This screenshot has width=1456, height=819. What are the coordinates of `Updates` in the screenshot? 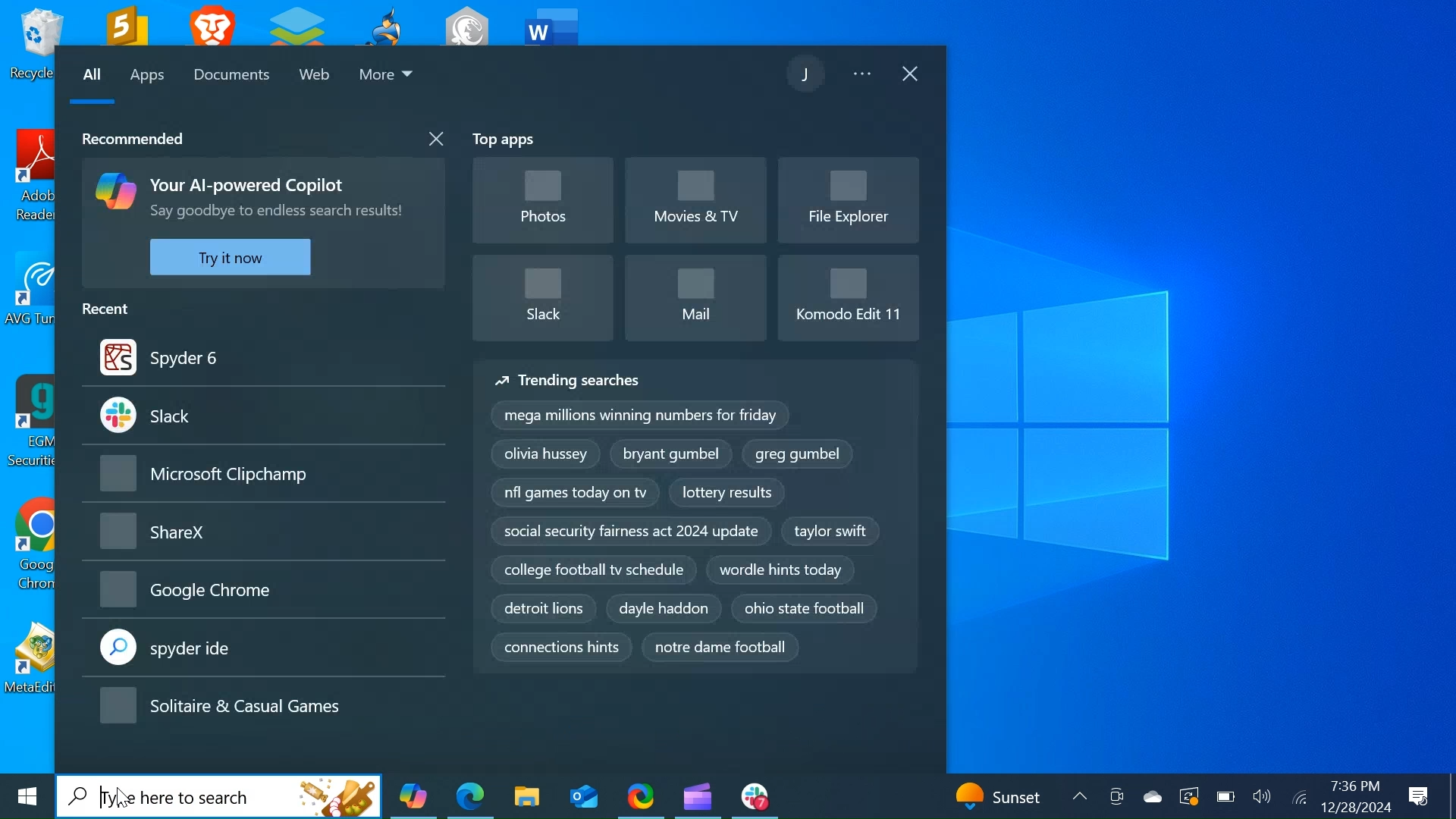 It's located at (1007, 795).